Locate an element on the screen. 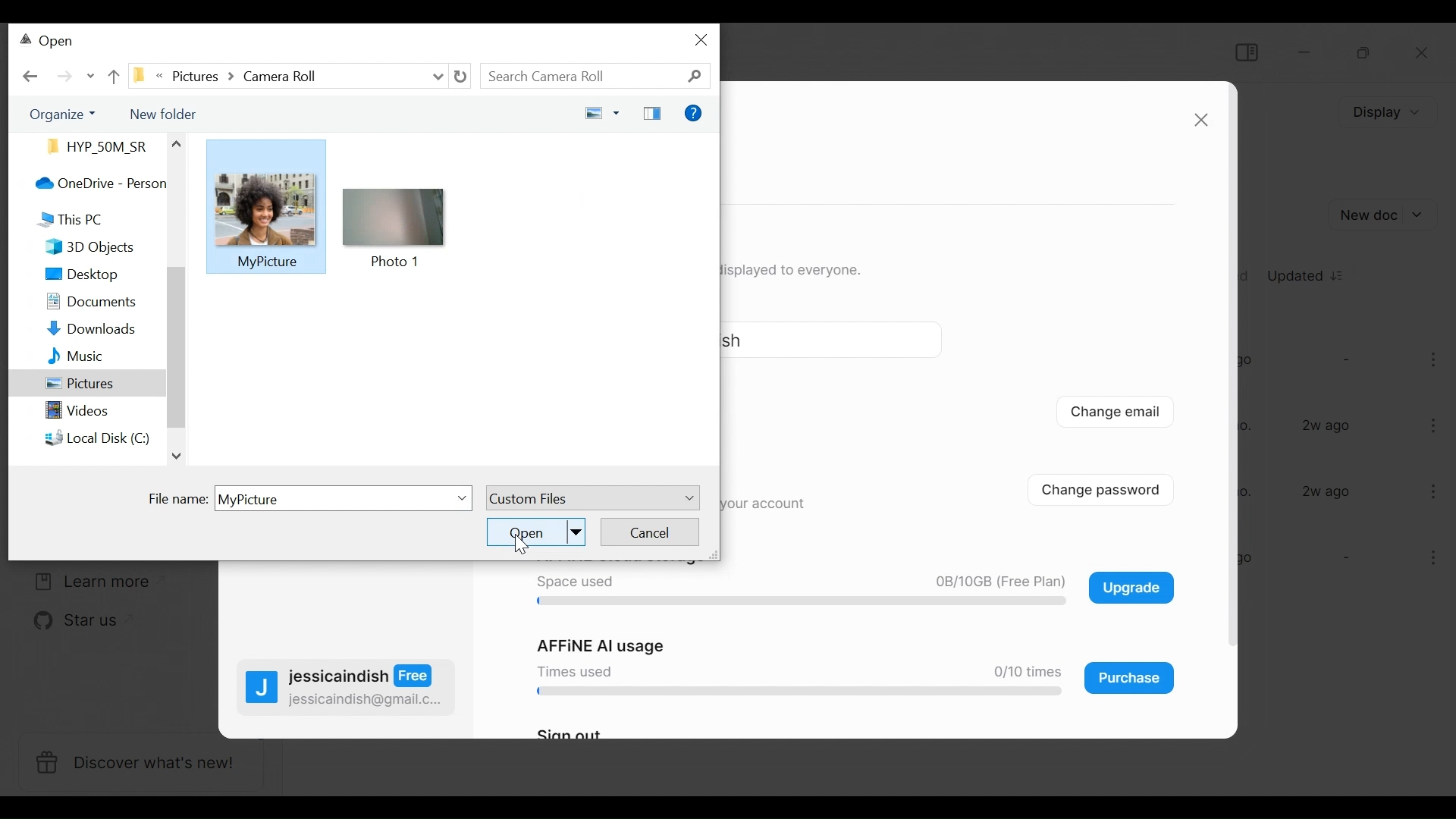 The image size is (1456, 819). Files is located at coordinates (93, 146).